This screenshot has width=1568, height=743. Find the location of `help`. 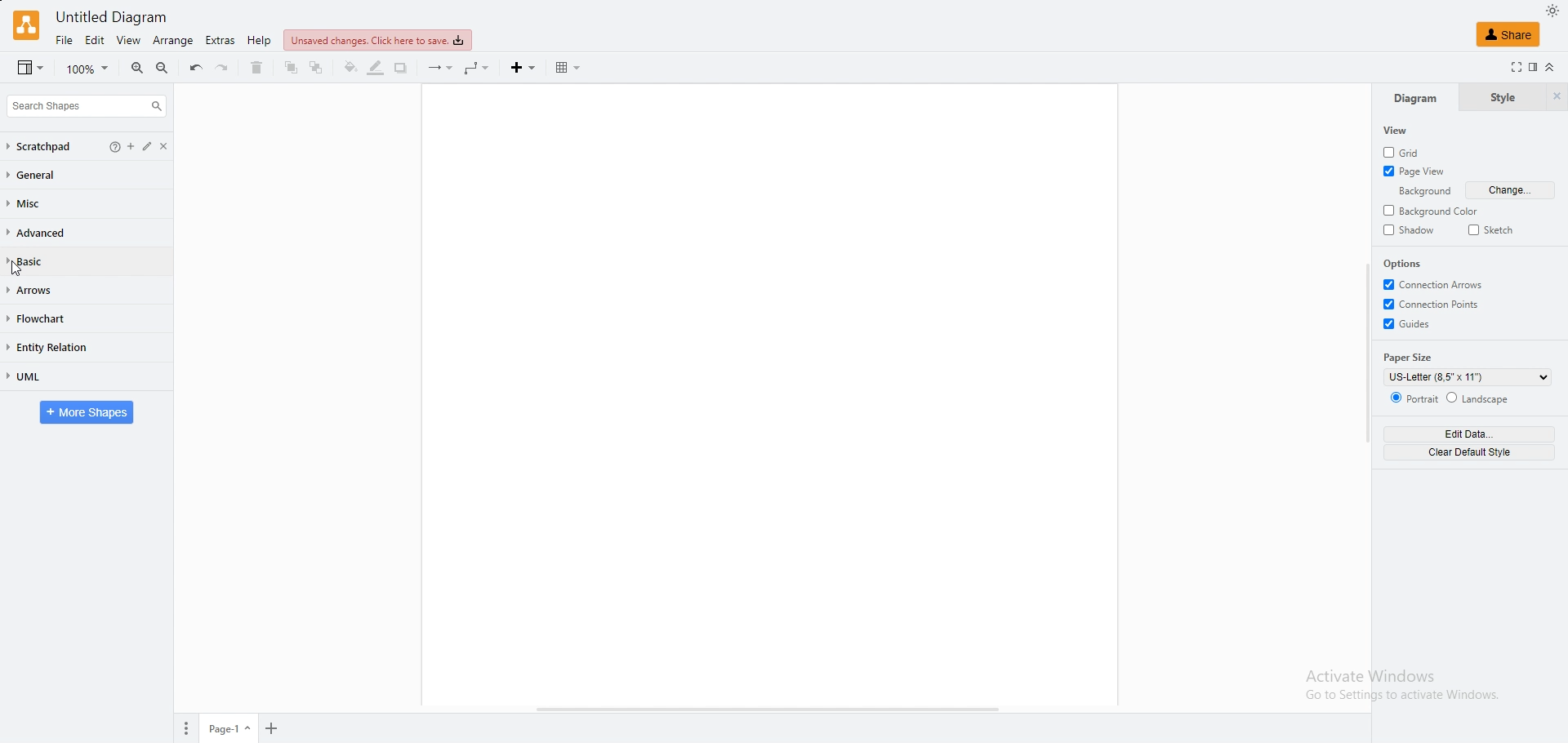

help is located at coordinates (261, 40).